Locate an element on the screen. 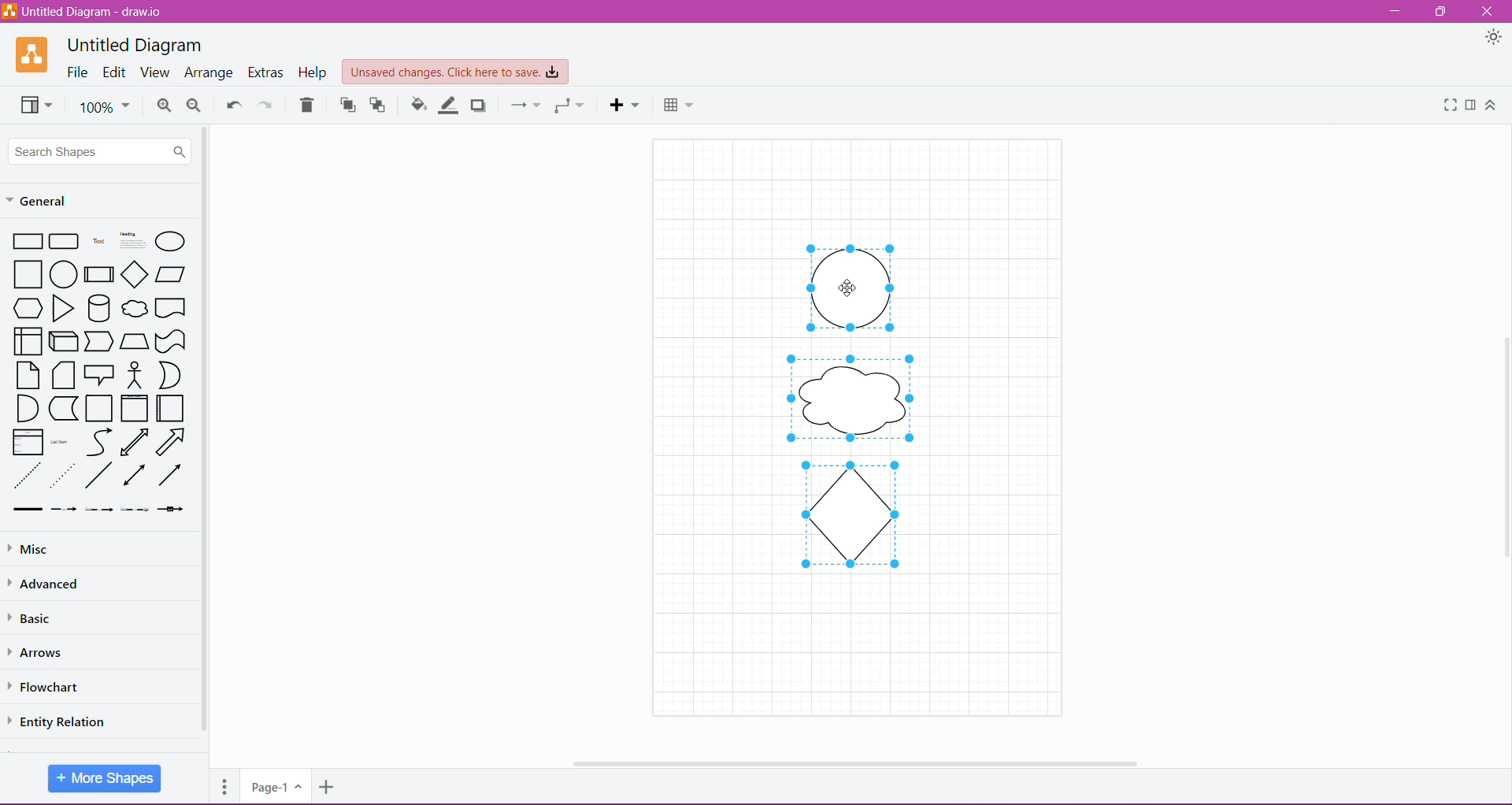 This screenshot has width=1512, height=805. Unsaved Changes. Click here to save. is located at coordinates (456, 72).